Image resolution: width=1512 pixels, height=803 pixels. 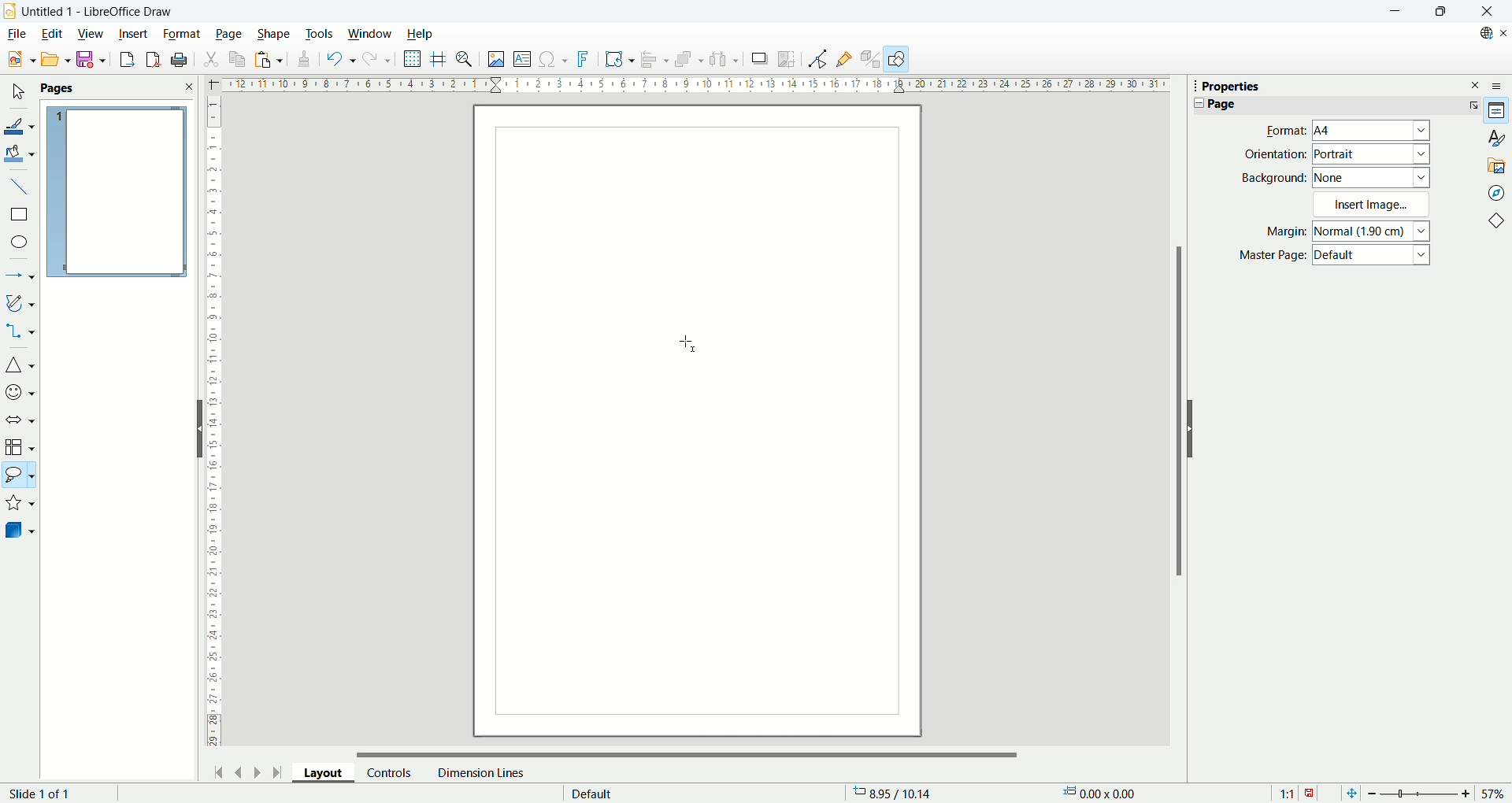 What do you see at coordinates (10, 10) in the screenshot?
I see `logo` at bounding box center [10, 10].